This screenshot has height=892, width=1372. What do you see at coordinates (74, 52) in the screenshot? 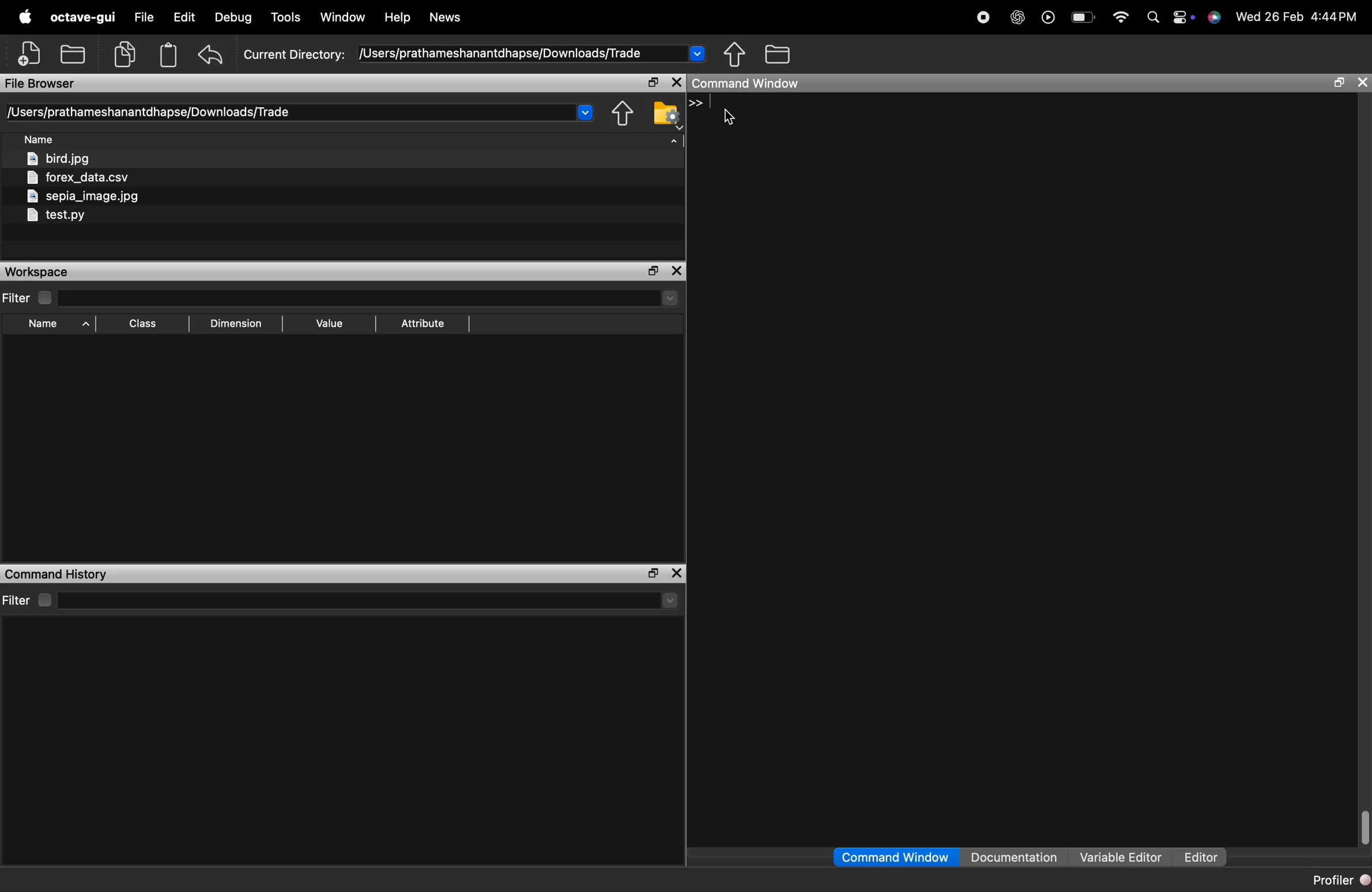
I see `open folder` at bounding box center [74, 52].